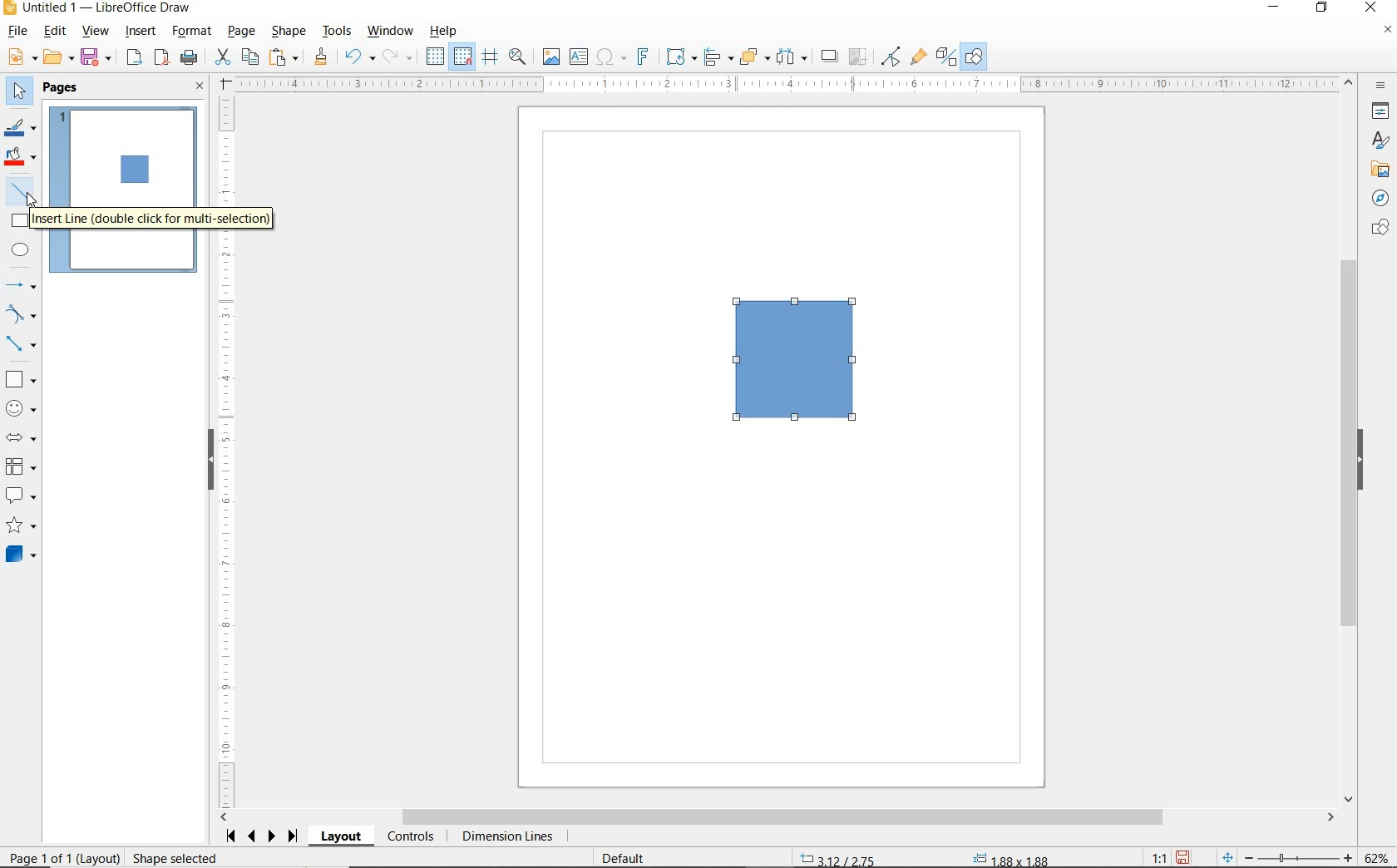  What do you see at coordinates (180, 860) in the screenshot?
I see `Resize shape` at bounding box center [180, 860].